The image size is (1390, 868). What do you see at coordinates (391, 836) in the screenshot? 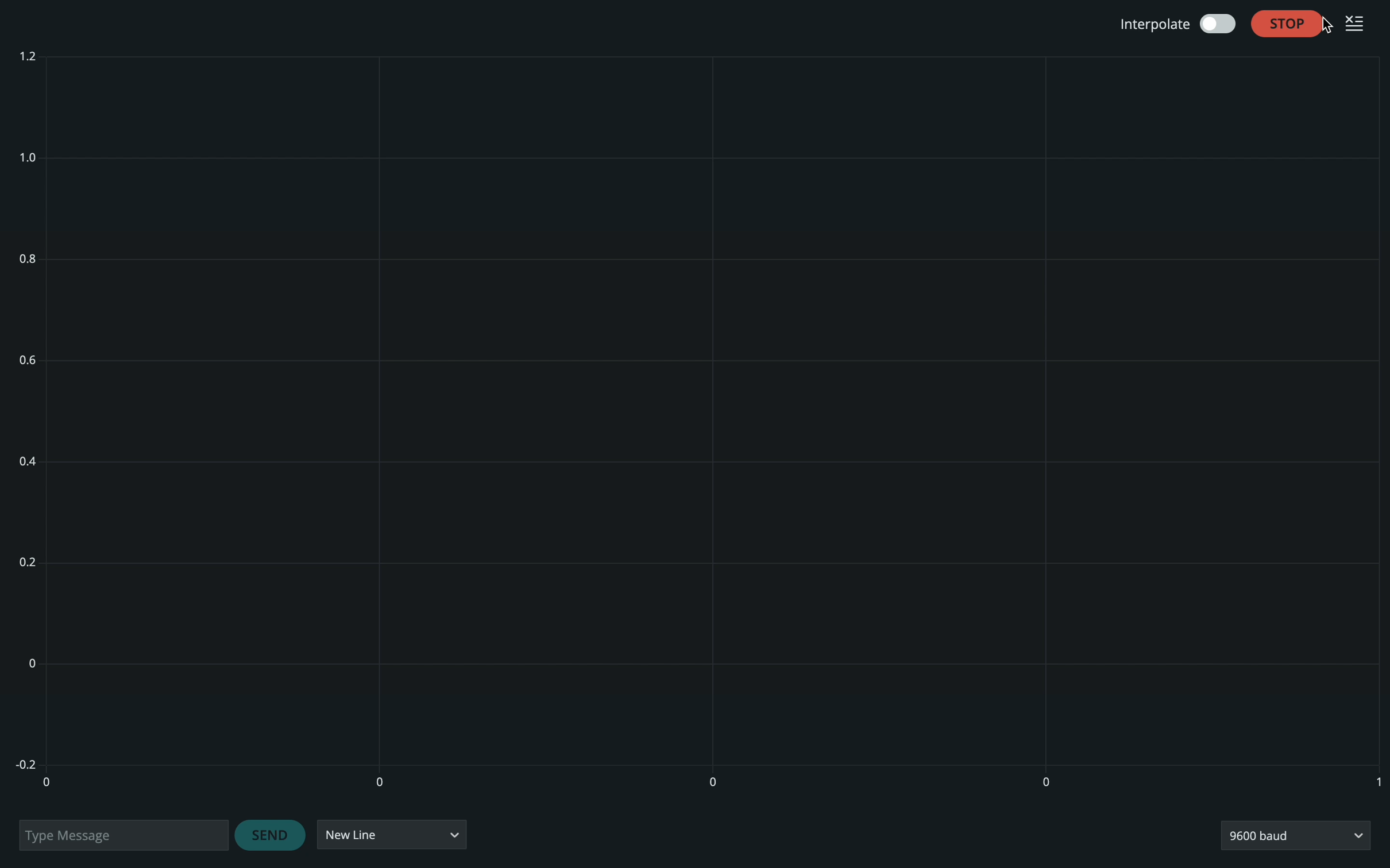
I see `new line` at bounding box center [391, 836].